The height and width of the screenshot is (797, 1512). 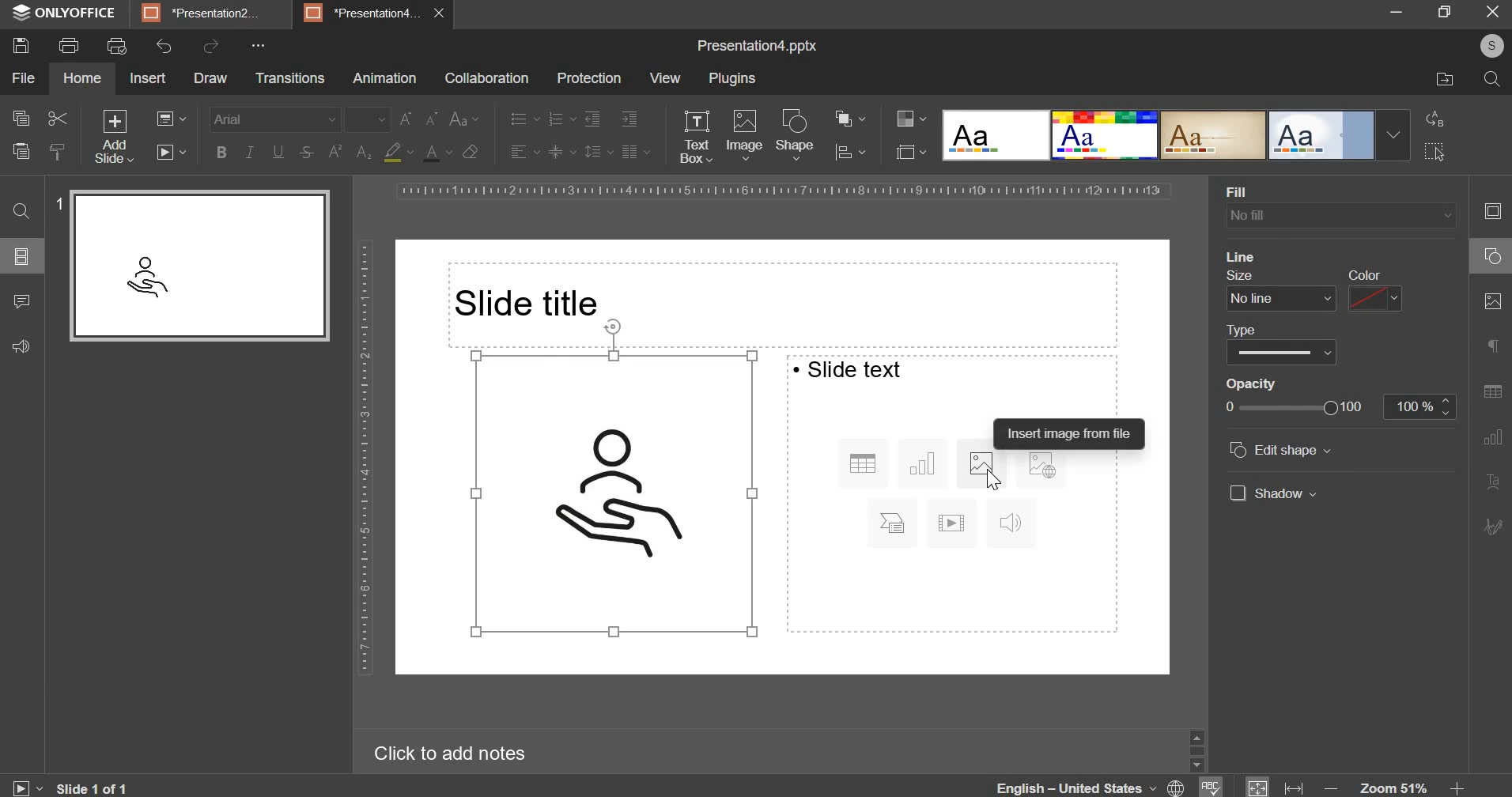 What do you see at coordinates (177, 122) in the screenshot?
I see `change slide layout` at bounding box center [177, 122].